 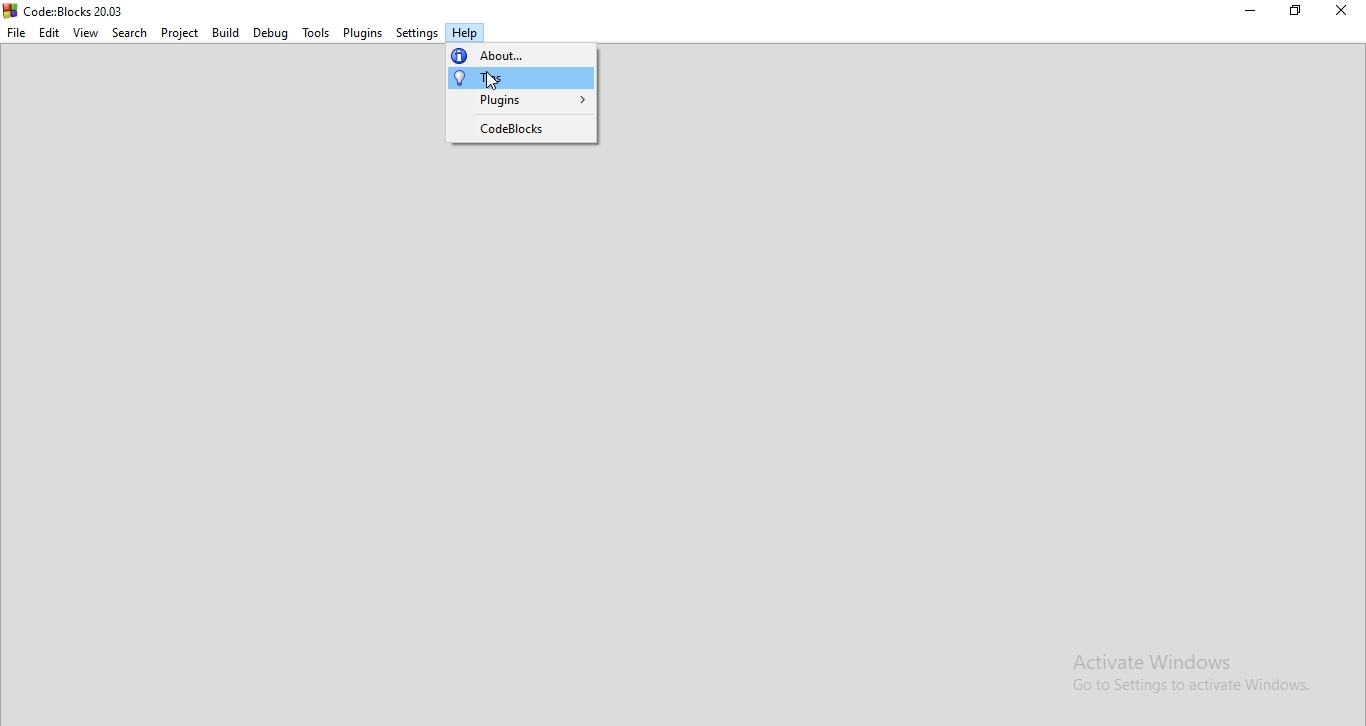 I want to click on Debug , so click(x=271, y=32).